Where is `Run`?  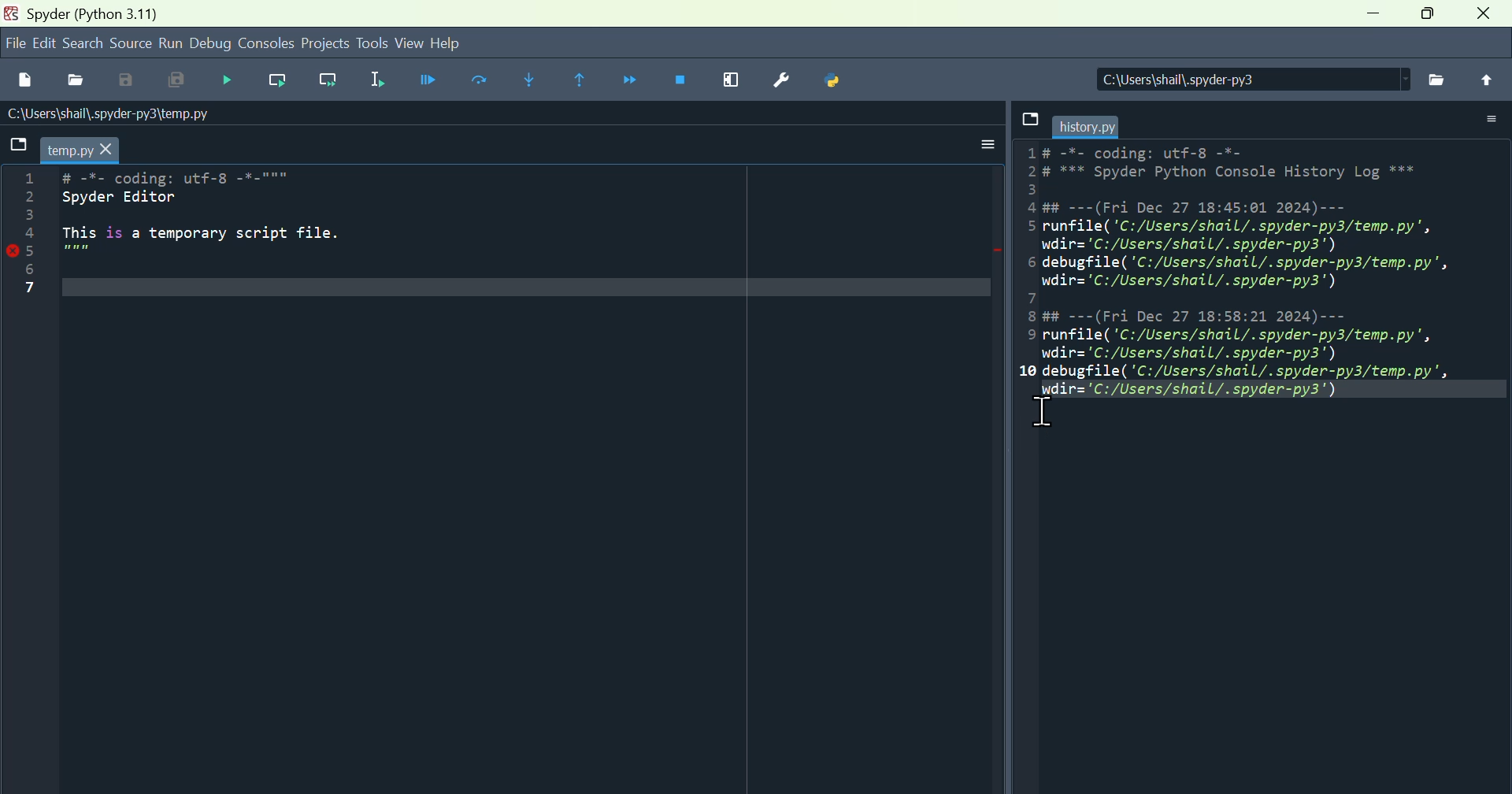 Run is located at coordinates (235, 79).